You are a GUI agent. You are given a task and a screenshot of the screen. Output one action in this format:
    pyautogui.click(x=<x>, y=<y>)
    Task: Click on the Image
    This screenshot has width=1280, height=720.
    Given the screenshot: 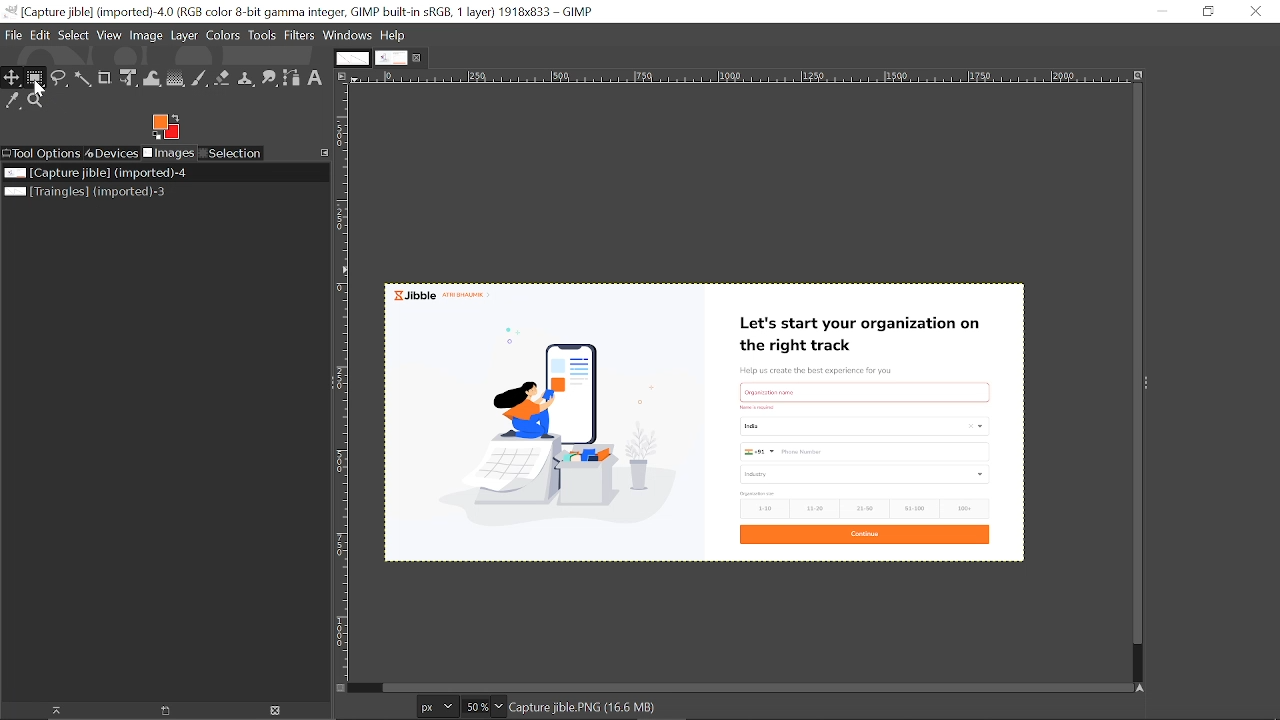 What is the action you would take?
    pyautogui.click(x=147, y=36)
    